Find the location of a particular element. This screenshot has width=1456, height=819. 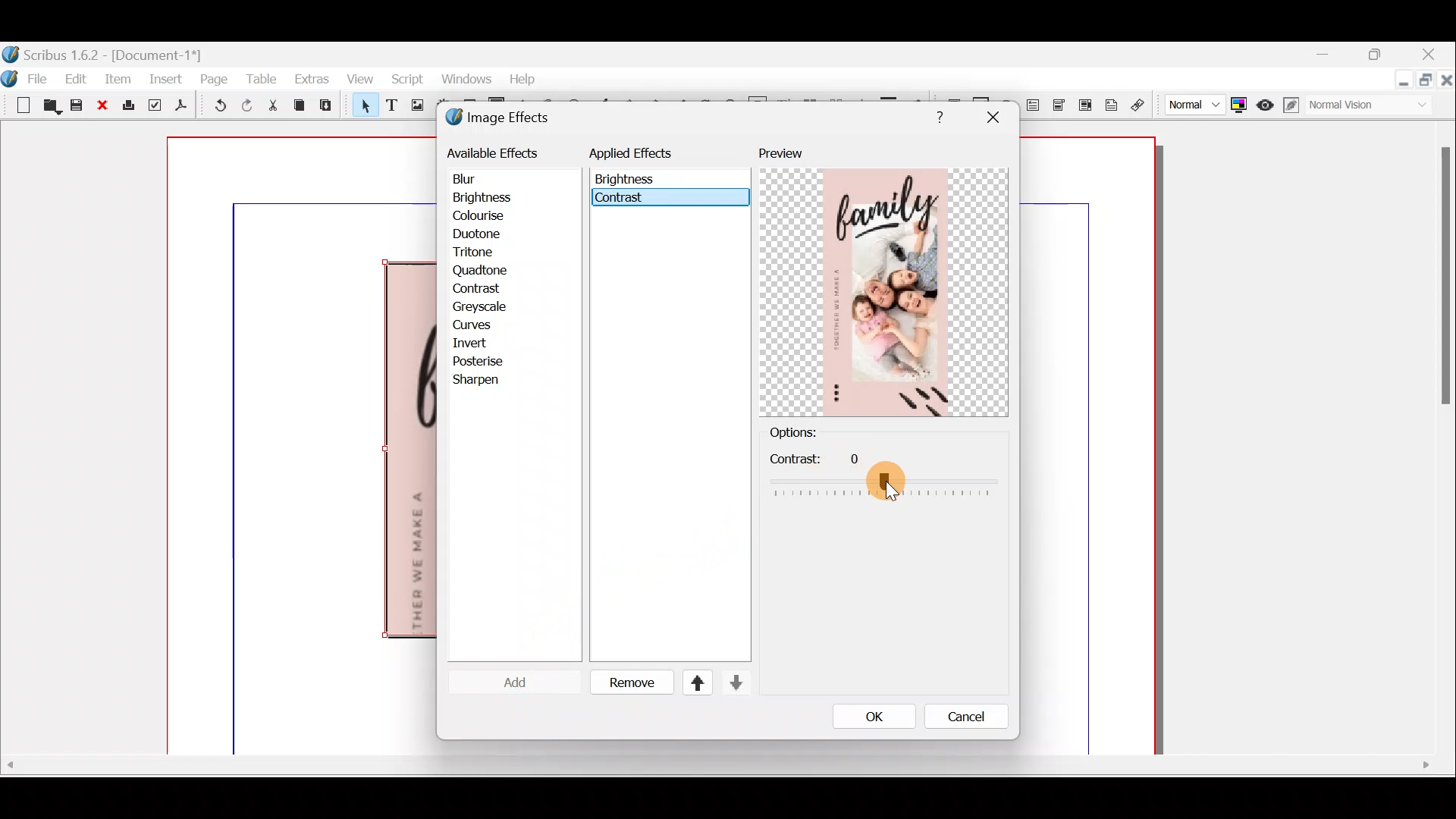

Blur is located at coordinates (479, 180).